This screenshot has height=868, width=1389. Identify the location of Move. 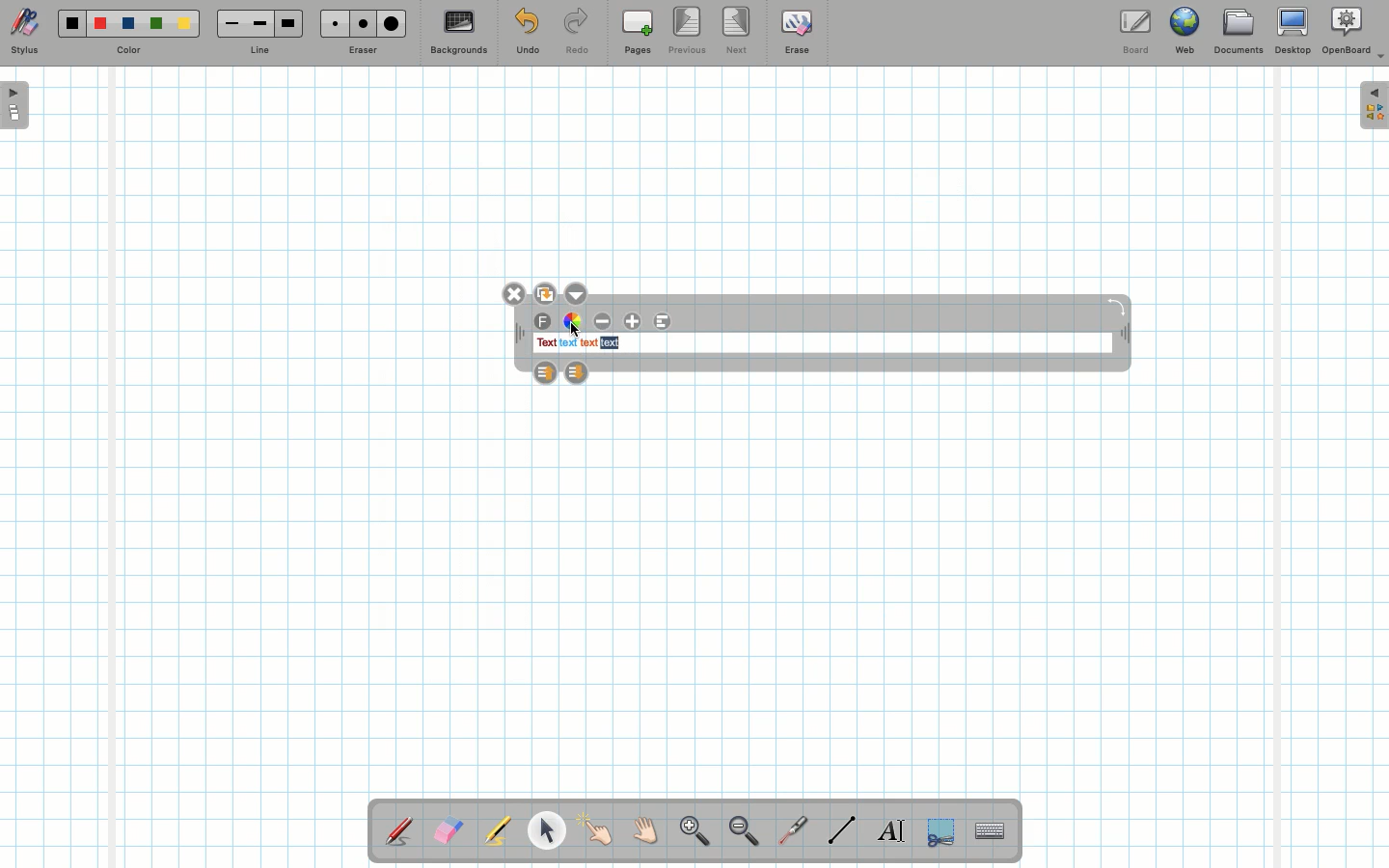
(520, 336).